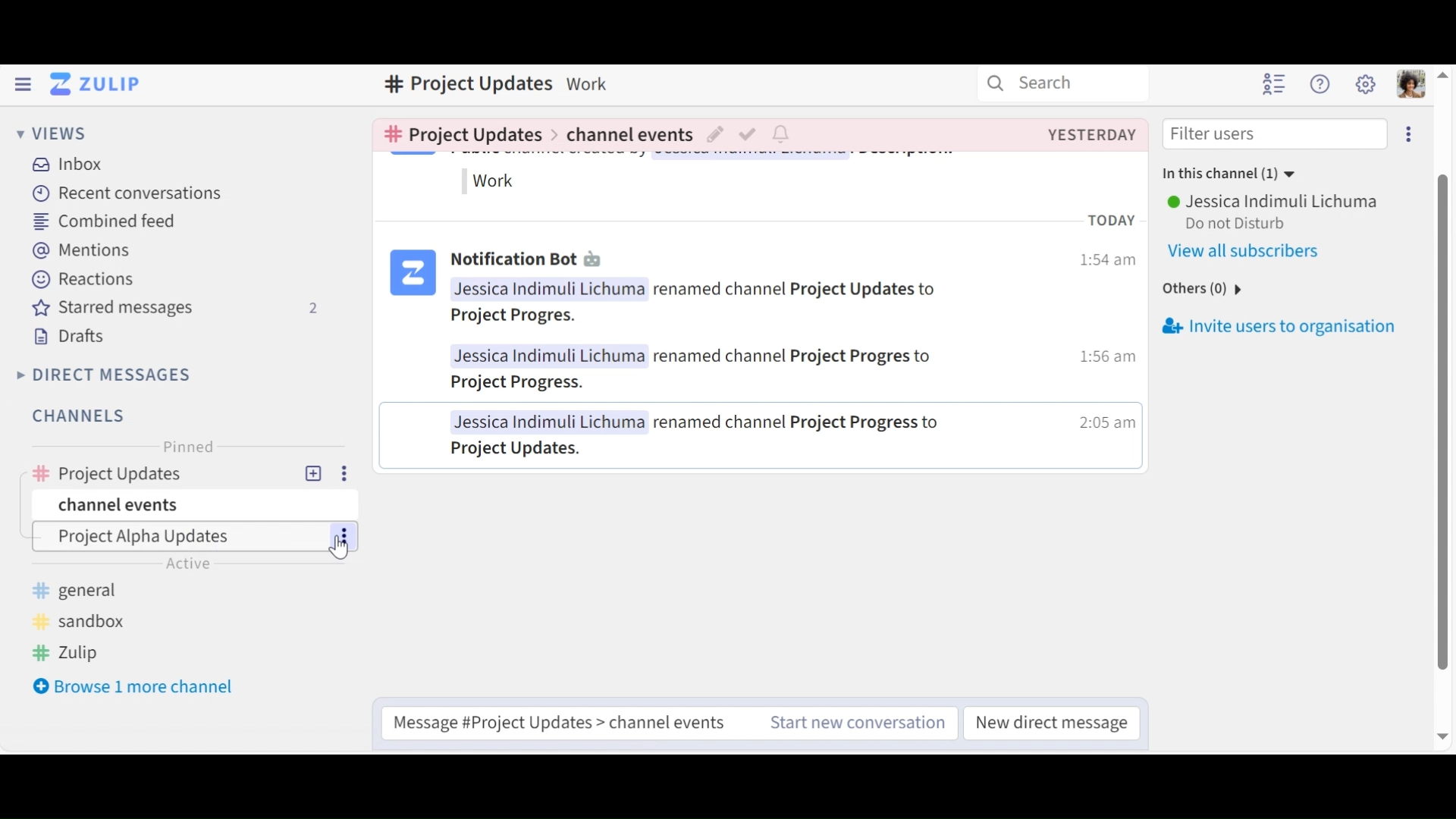  What do you see at coordinates (706, 368) in the screenshot?
I see `Jessica Indimuli Lichuma renamed channel Project Progres to
Project Progress.` at bounding box center [706, 368].